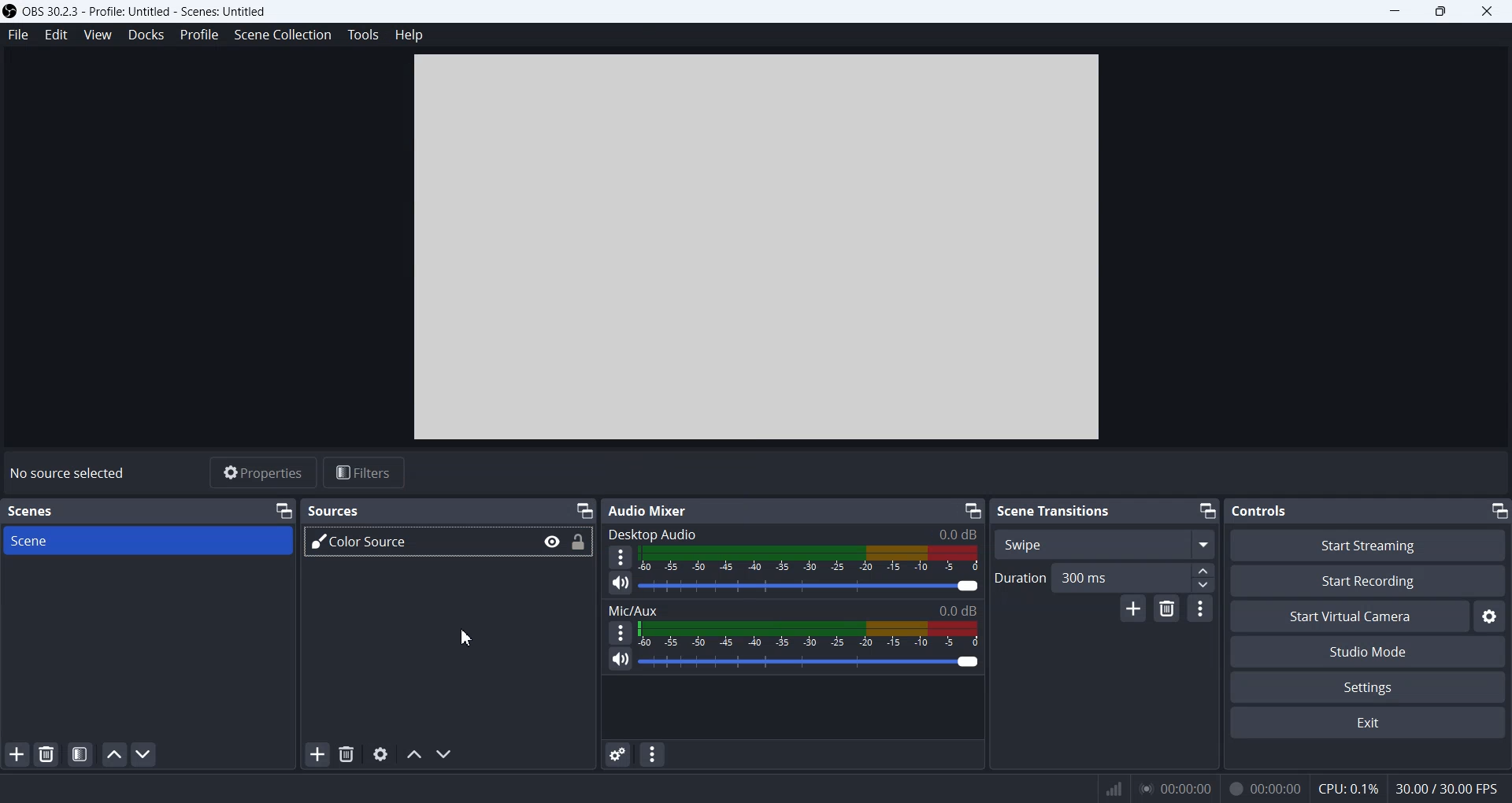 This screenshot has height=803, width=1512. I want to click on Remove Selected Scene, so click(48, 754).